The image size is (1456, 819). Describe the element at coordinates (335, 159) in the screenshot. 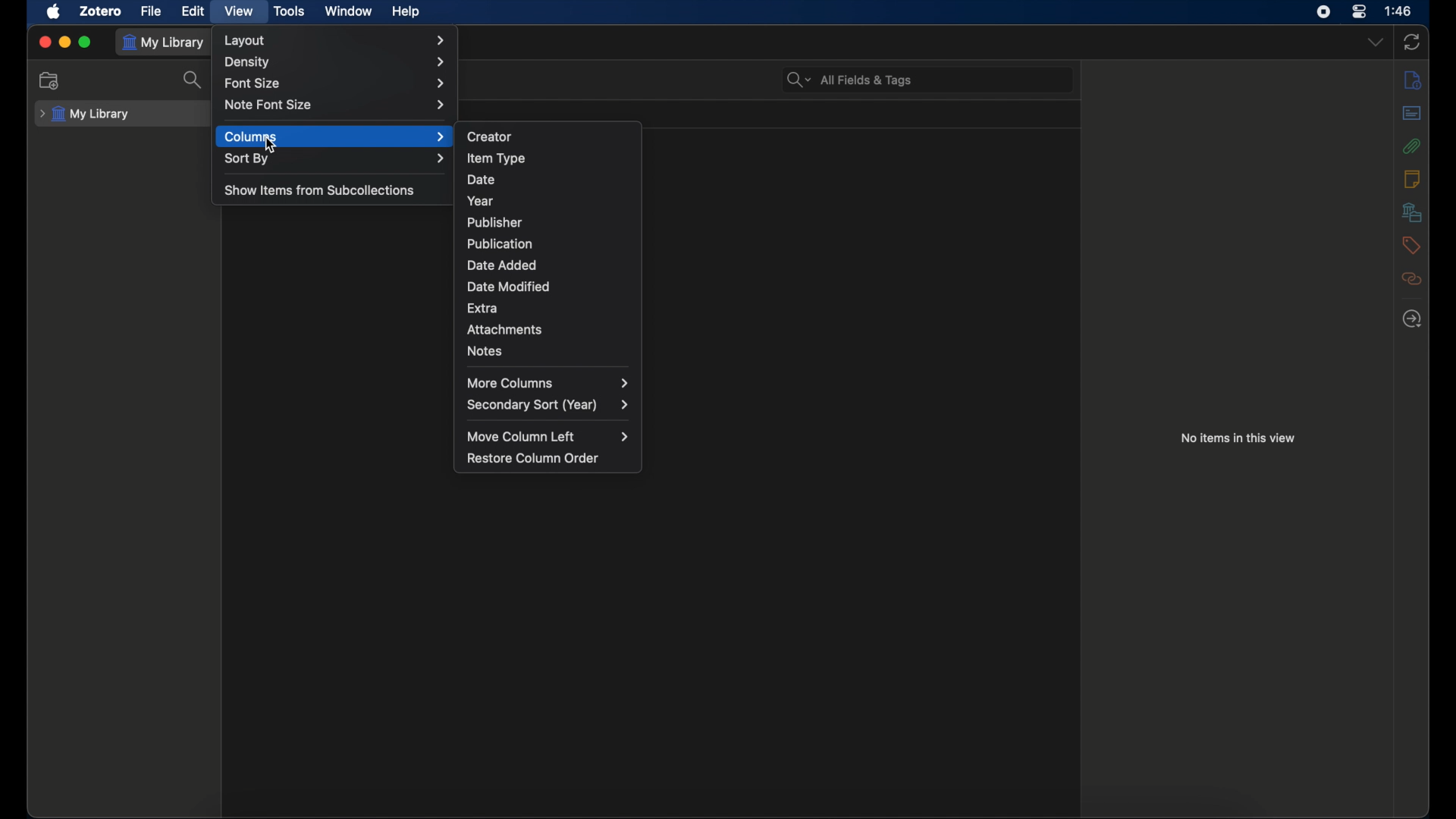

I see `sort by` at that location.